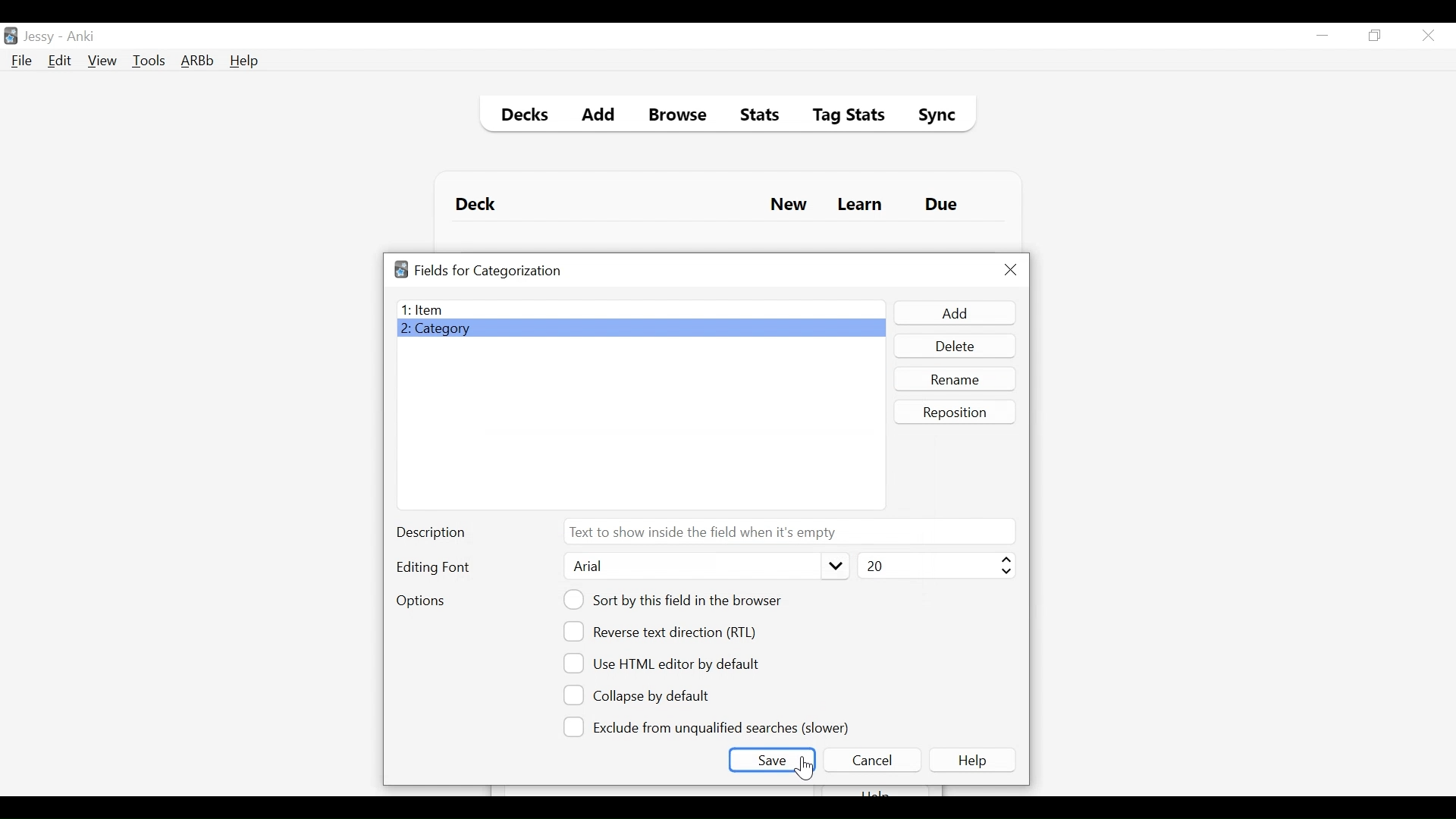 This screenshot has height=819, width=1456. Describe the element at coordinates (954, 347) in the screenshot. I see `Delete` at that location.